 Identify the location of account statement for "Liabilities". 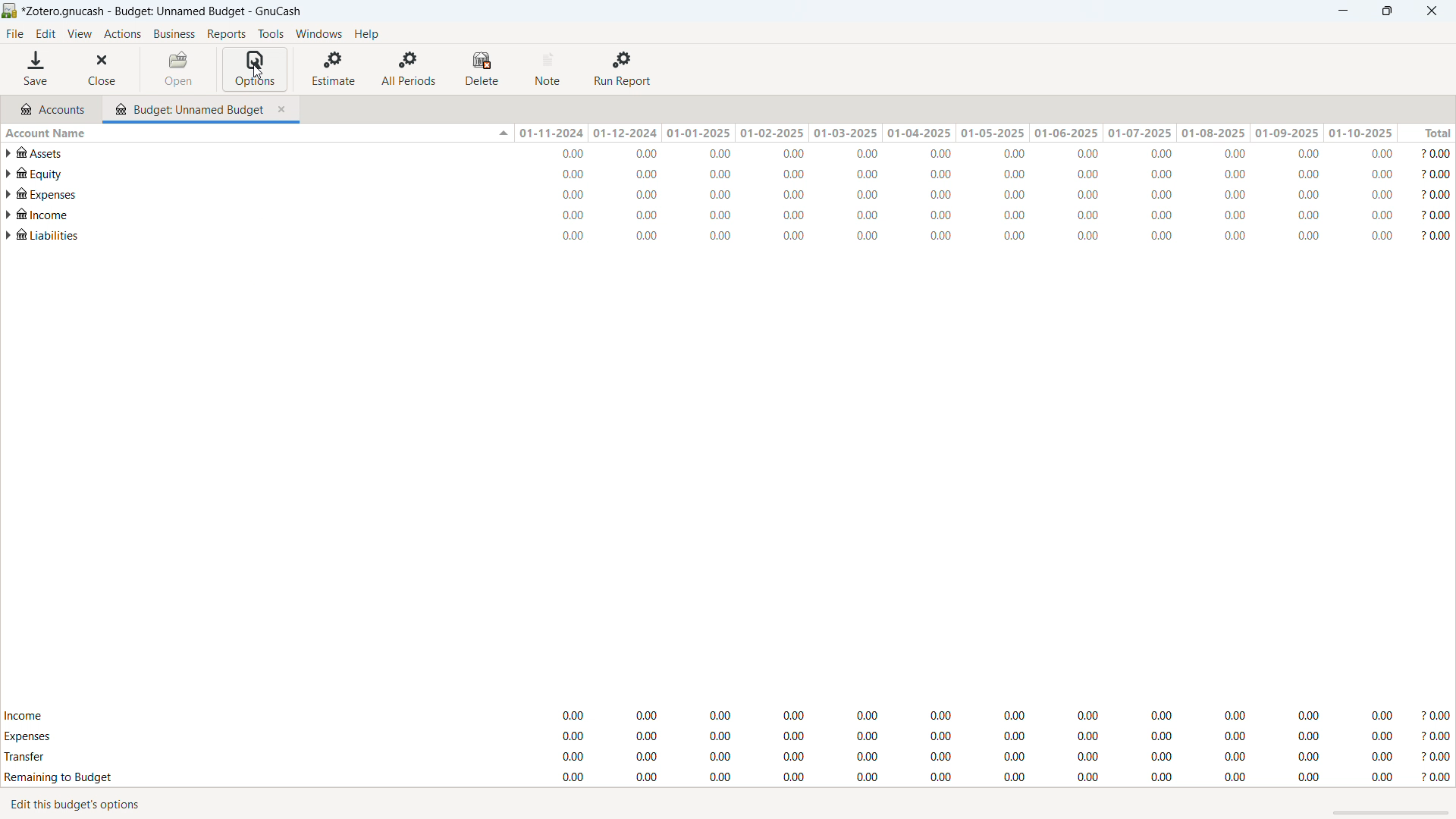
(736, 236).